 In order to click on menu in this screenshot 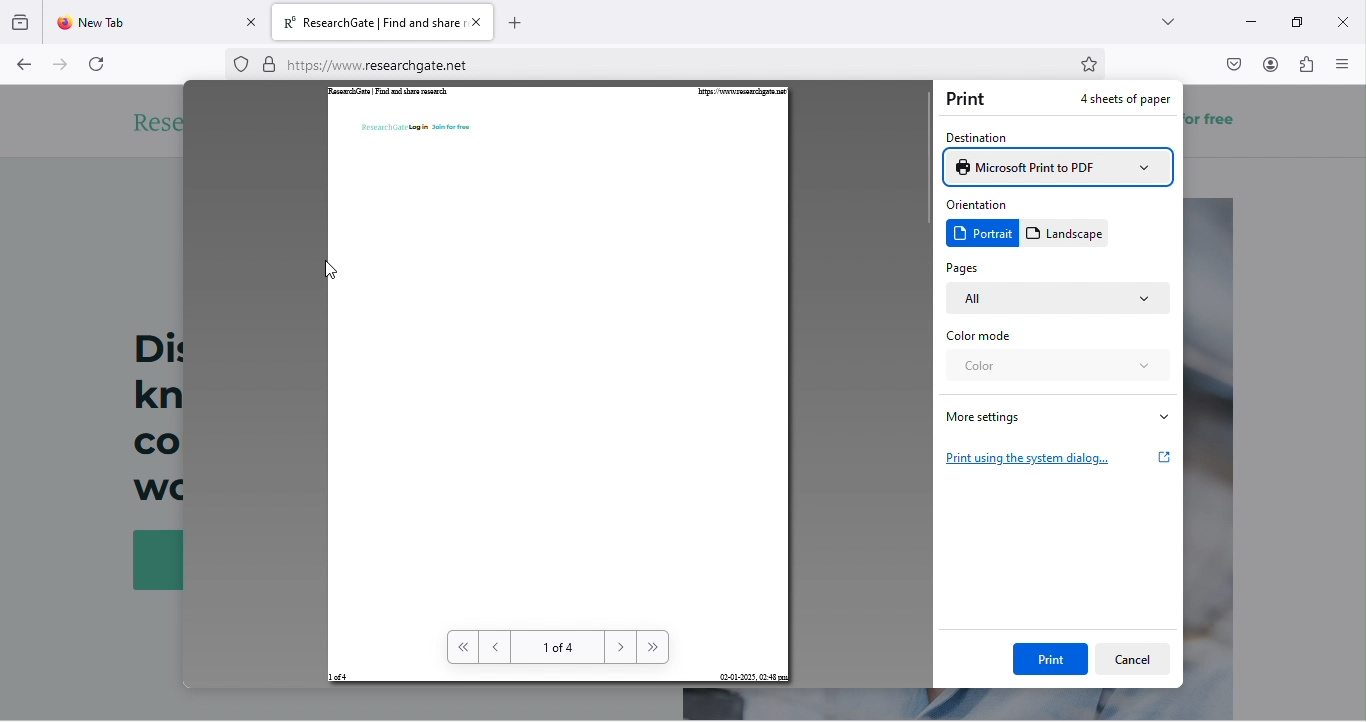, I will do `click(1350, 63)`.